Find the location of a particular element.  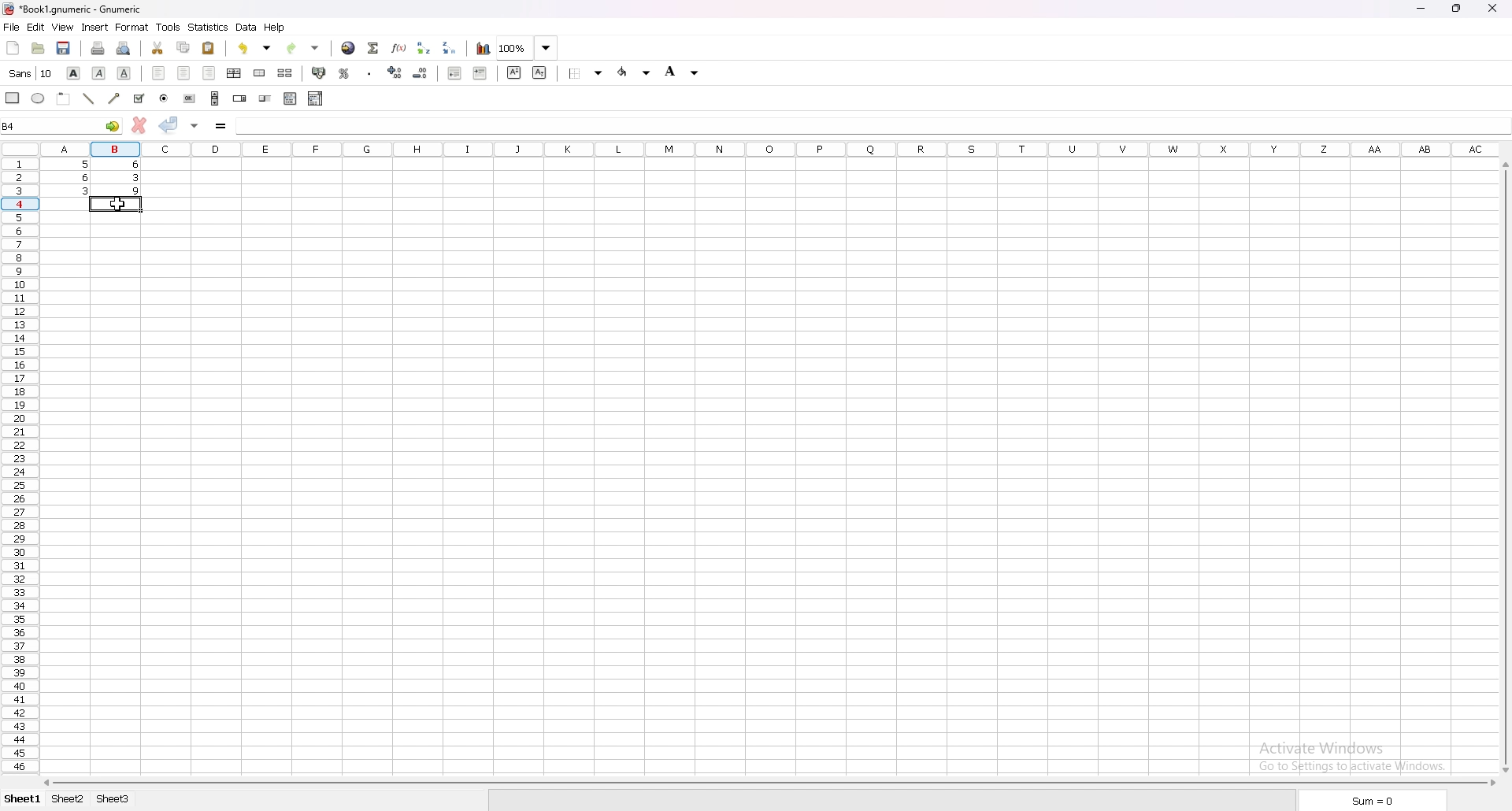

frame is located at coordinates (63, 99).